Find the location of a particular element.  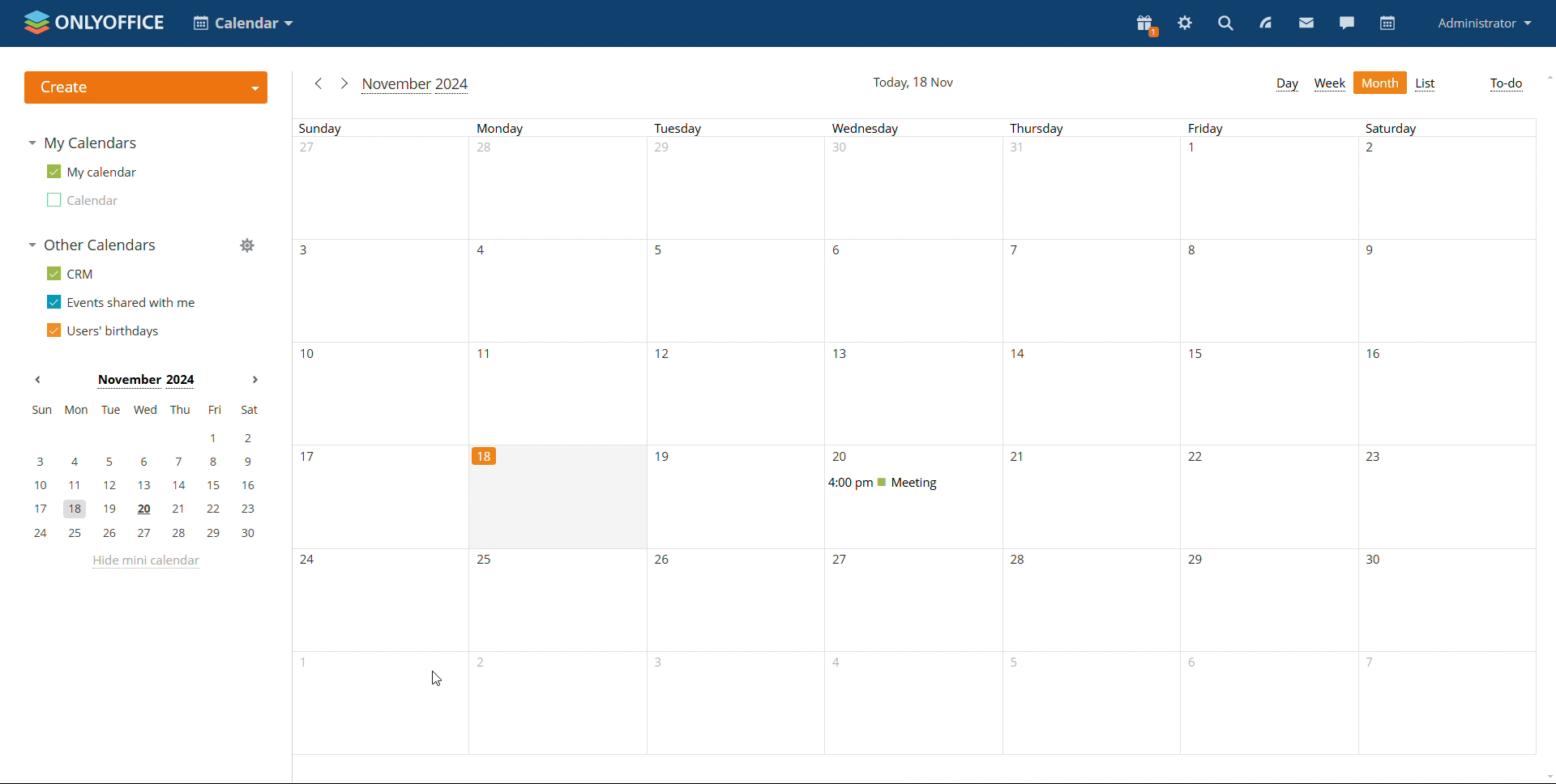

logo is located at coordinates (95, 23).